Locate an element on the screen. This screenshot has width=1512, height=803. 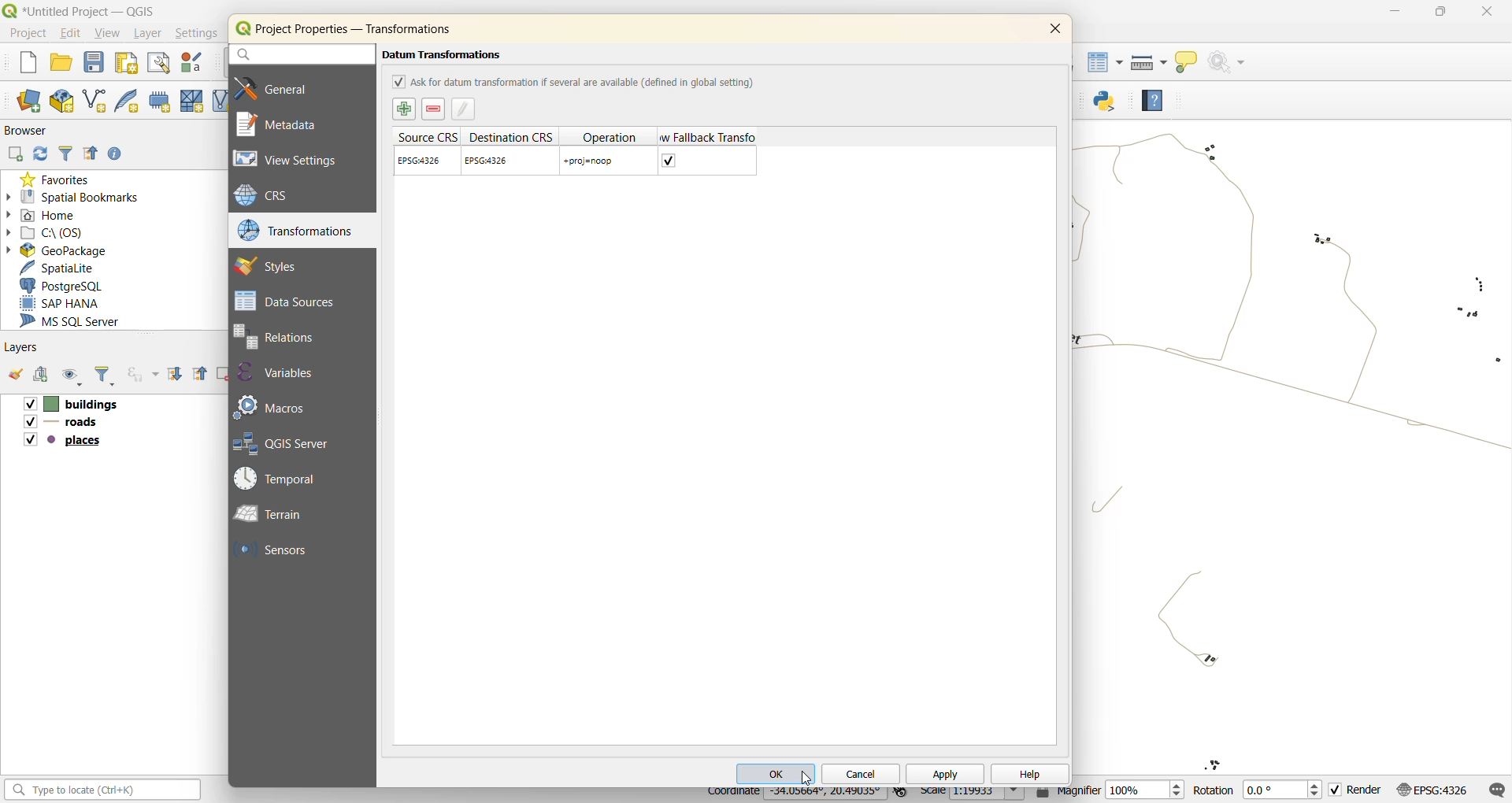
remove datum transformations is located at coordinates (434, 109).